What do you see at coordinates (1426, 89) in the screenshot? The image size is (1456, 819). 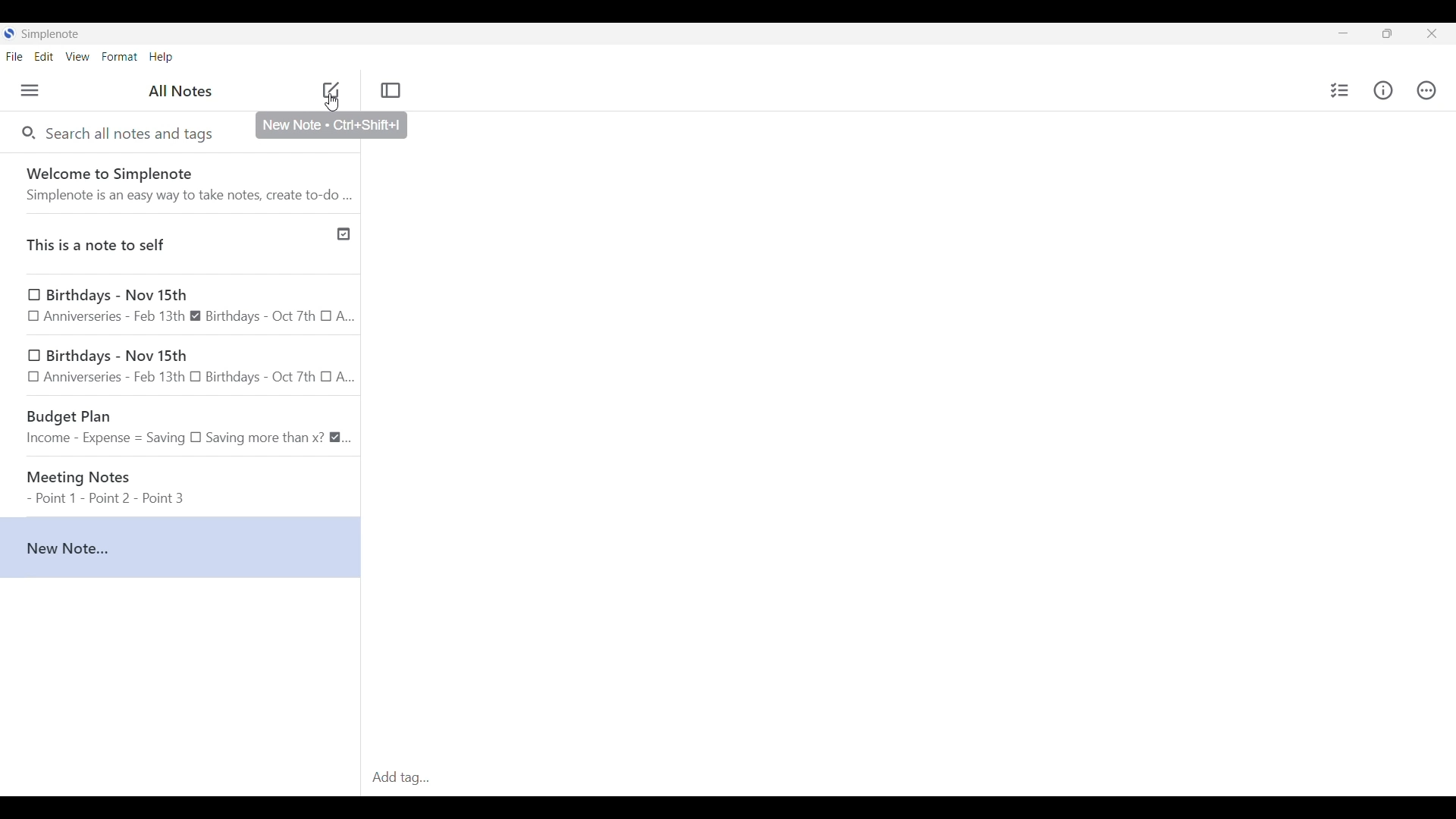 I see `Actions` at bounding box center [1426, 89].